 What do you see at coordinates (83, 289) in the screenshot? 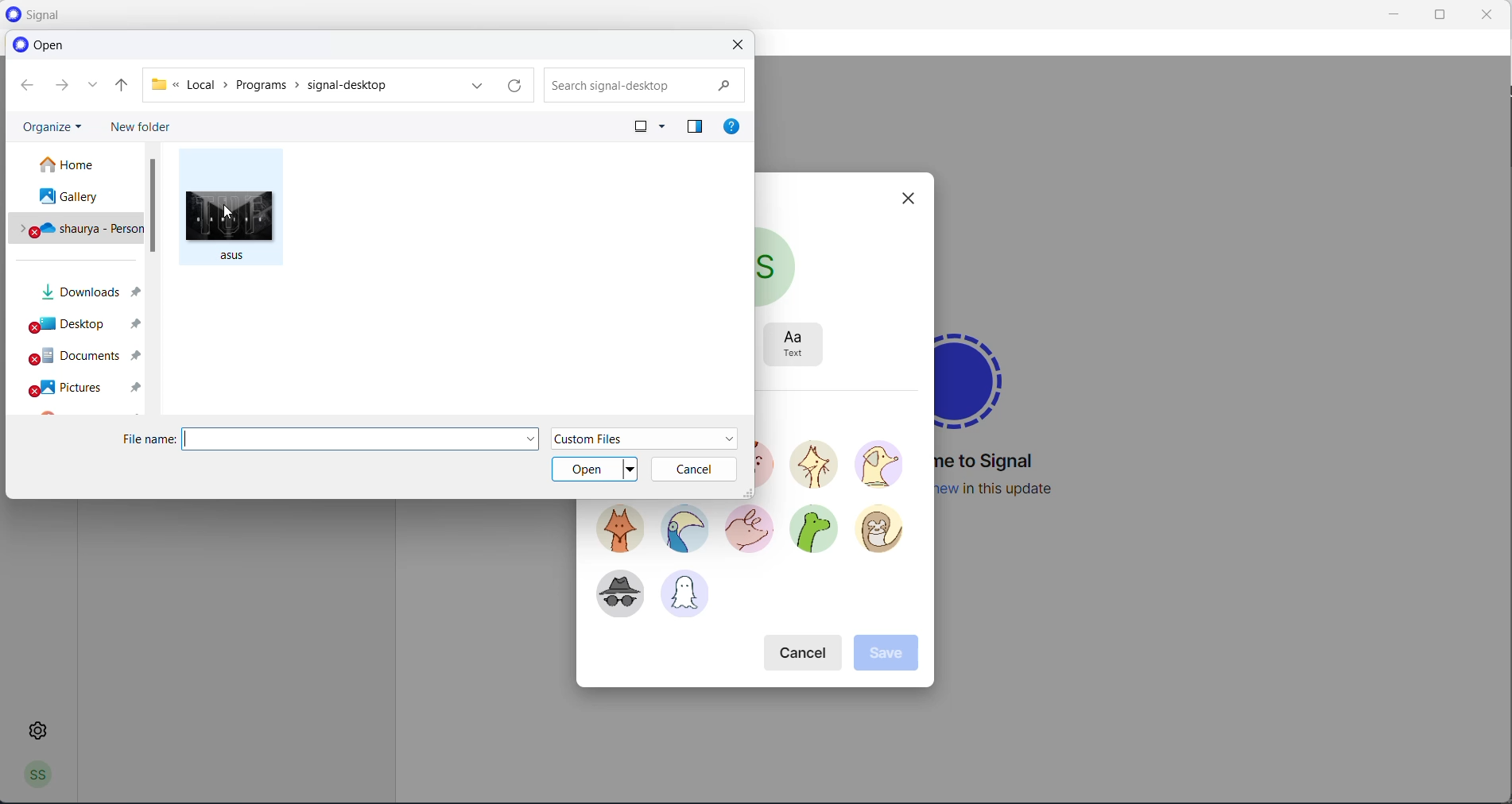
I see `downloads` at bounding box center [83, 289].